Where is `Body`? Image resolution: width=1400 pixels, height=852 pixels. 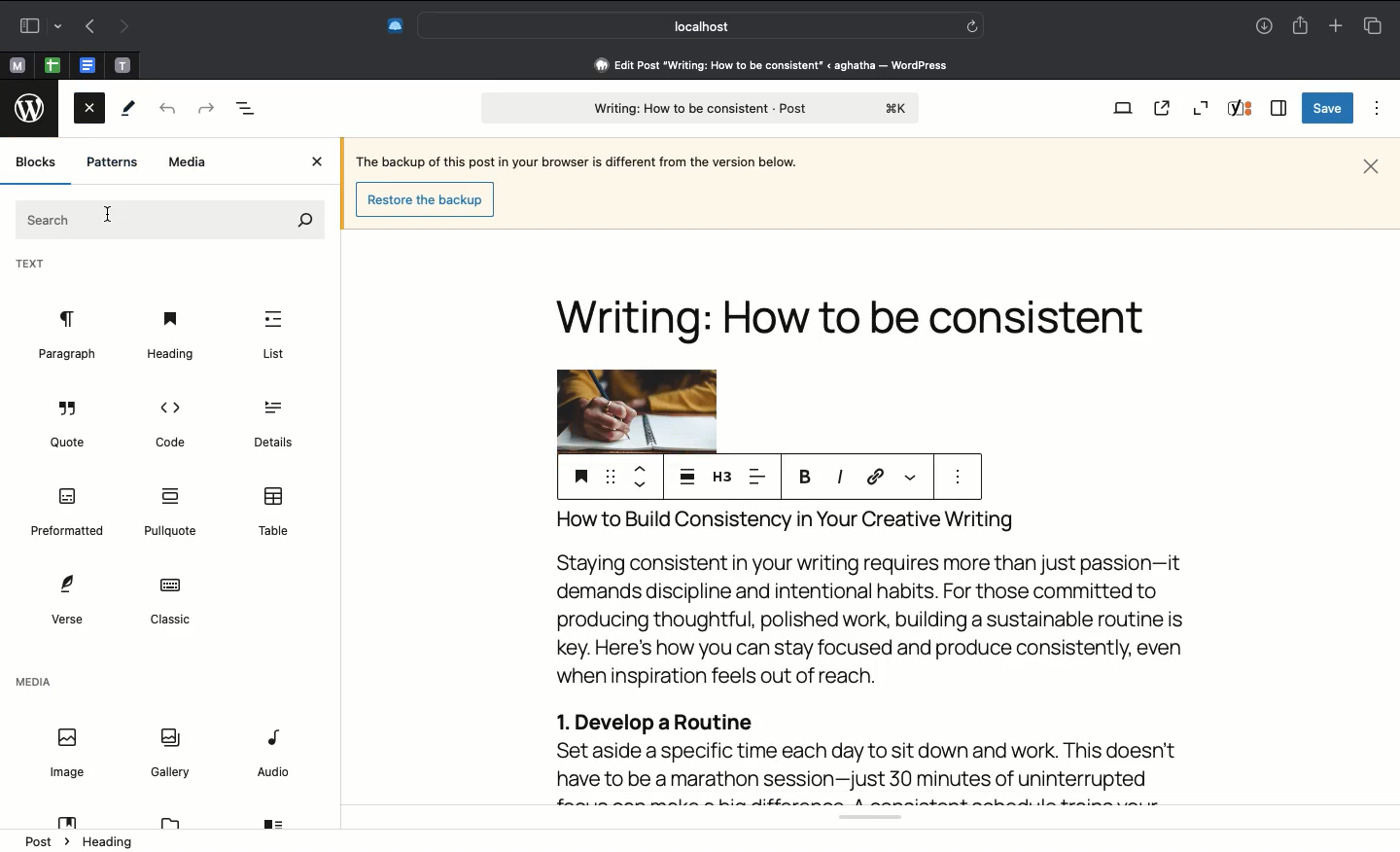
Body is located at coordinates (871, 655).